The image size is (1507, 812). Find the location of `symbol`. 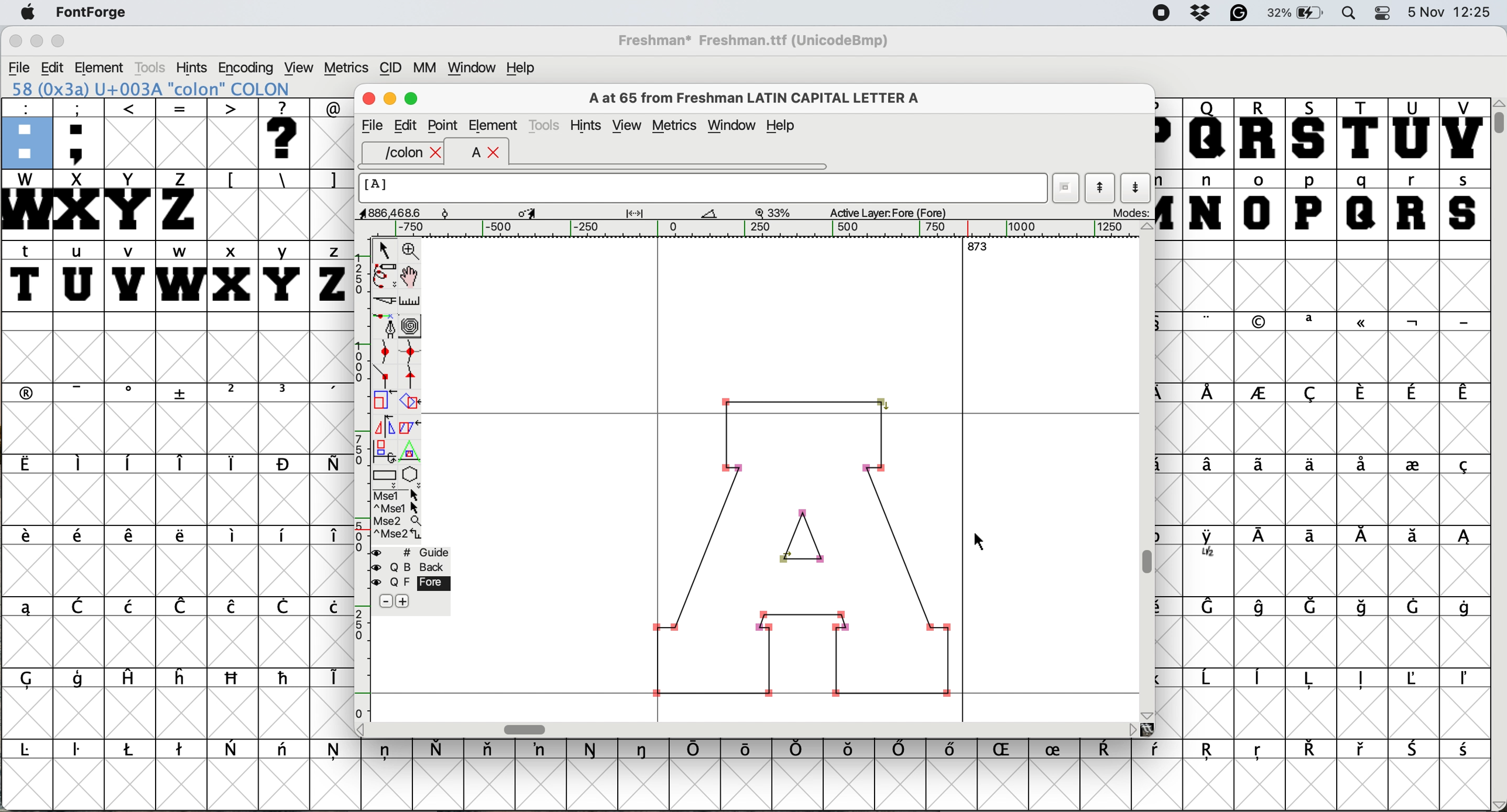

symbol is located at coordinates (1463, 467).